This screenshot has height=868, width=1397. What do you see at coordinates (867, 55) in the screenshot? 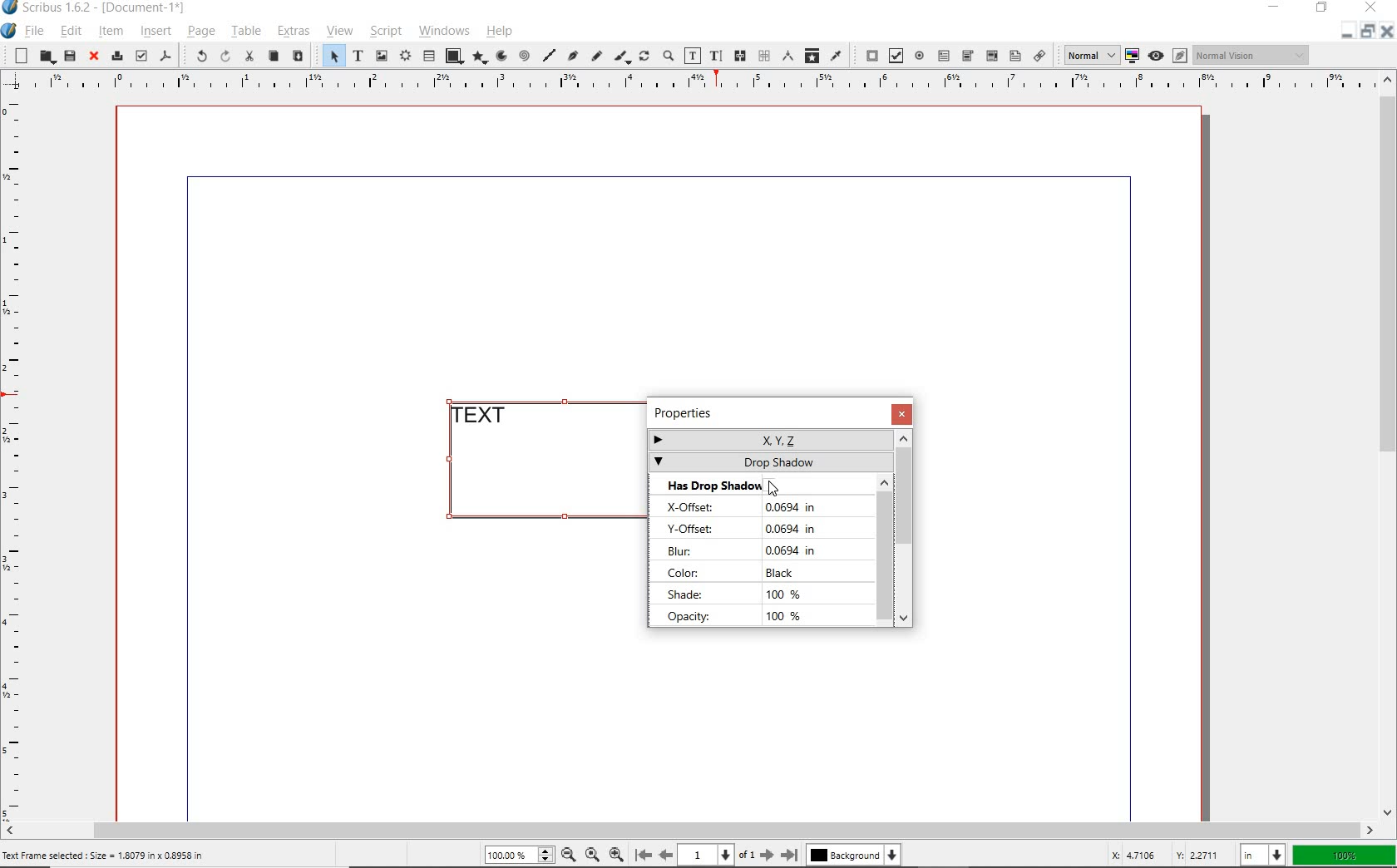
I see `pdf push button` at bounding box center [867, 55].